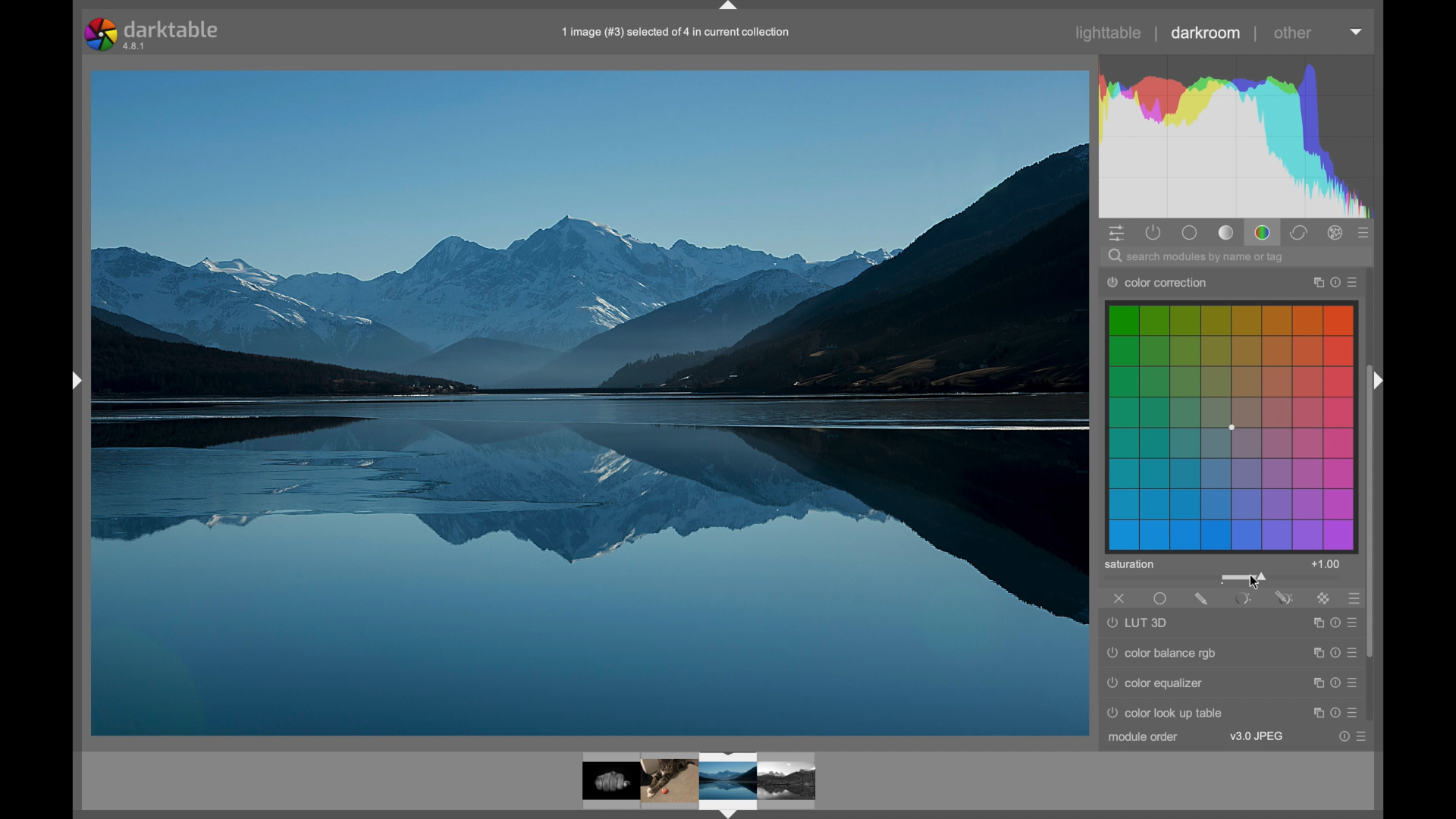 The image size is (1456, 819). What do you see at coordinates (154, 35) in the screenshot?
I see `darktable` at bounding box center [154, 35].